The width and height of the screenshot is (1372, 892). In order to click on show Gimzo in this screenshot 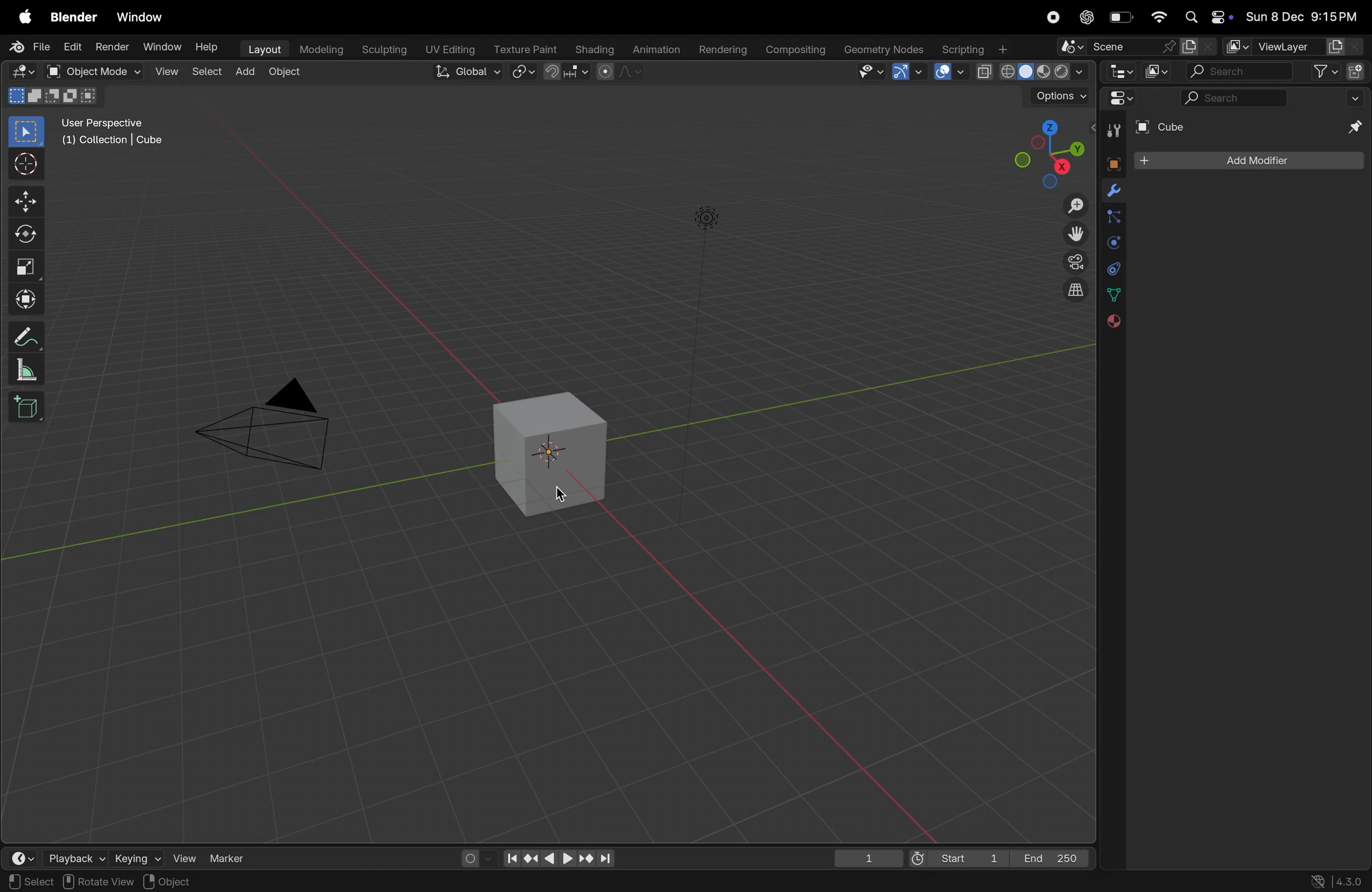, I will do `click(906, 73)`.